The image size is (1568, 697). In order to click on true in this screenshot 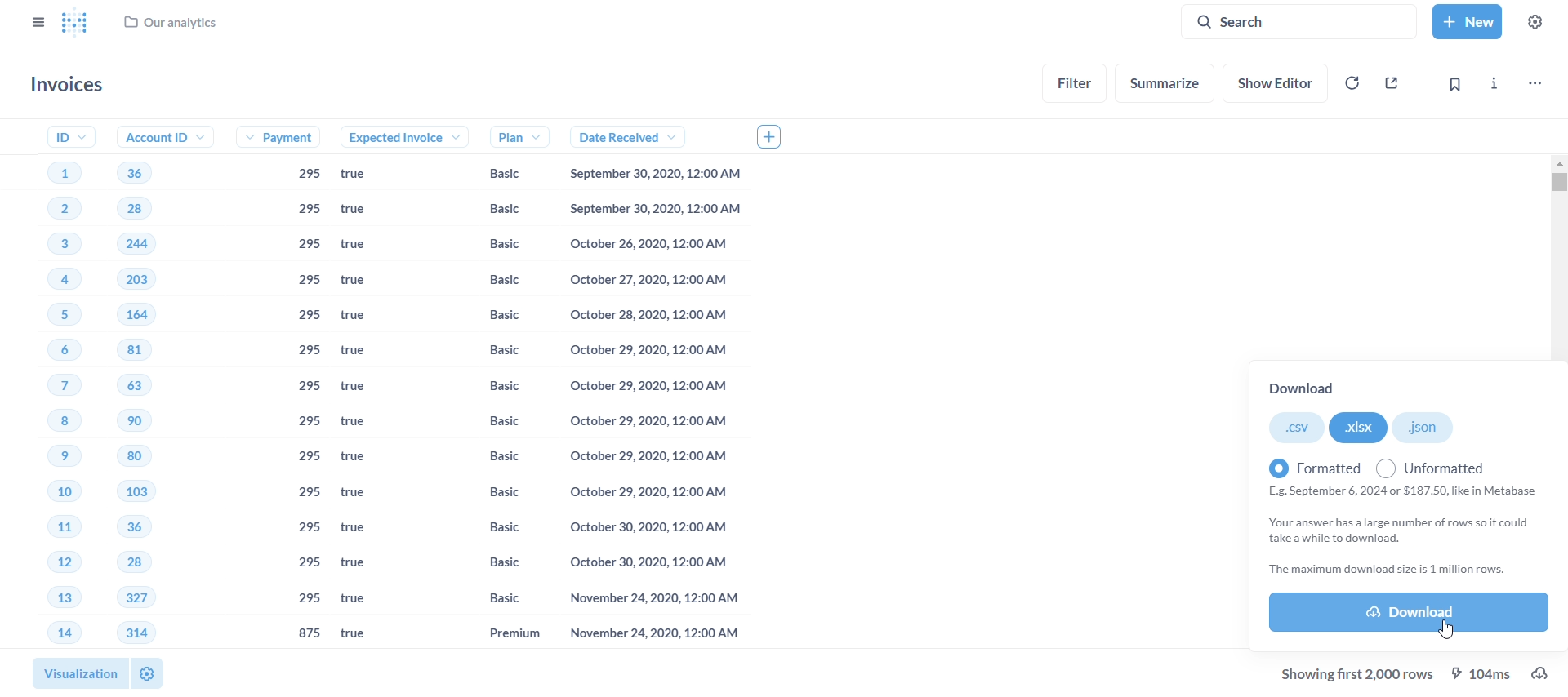, I will do `click(363, 388)`.